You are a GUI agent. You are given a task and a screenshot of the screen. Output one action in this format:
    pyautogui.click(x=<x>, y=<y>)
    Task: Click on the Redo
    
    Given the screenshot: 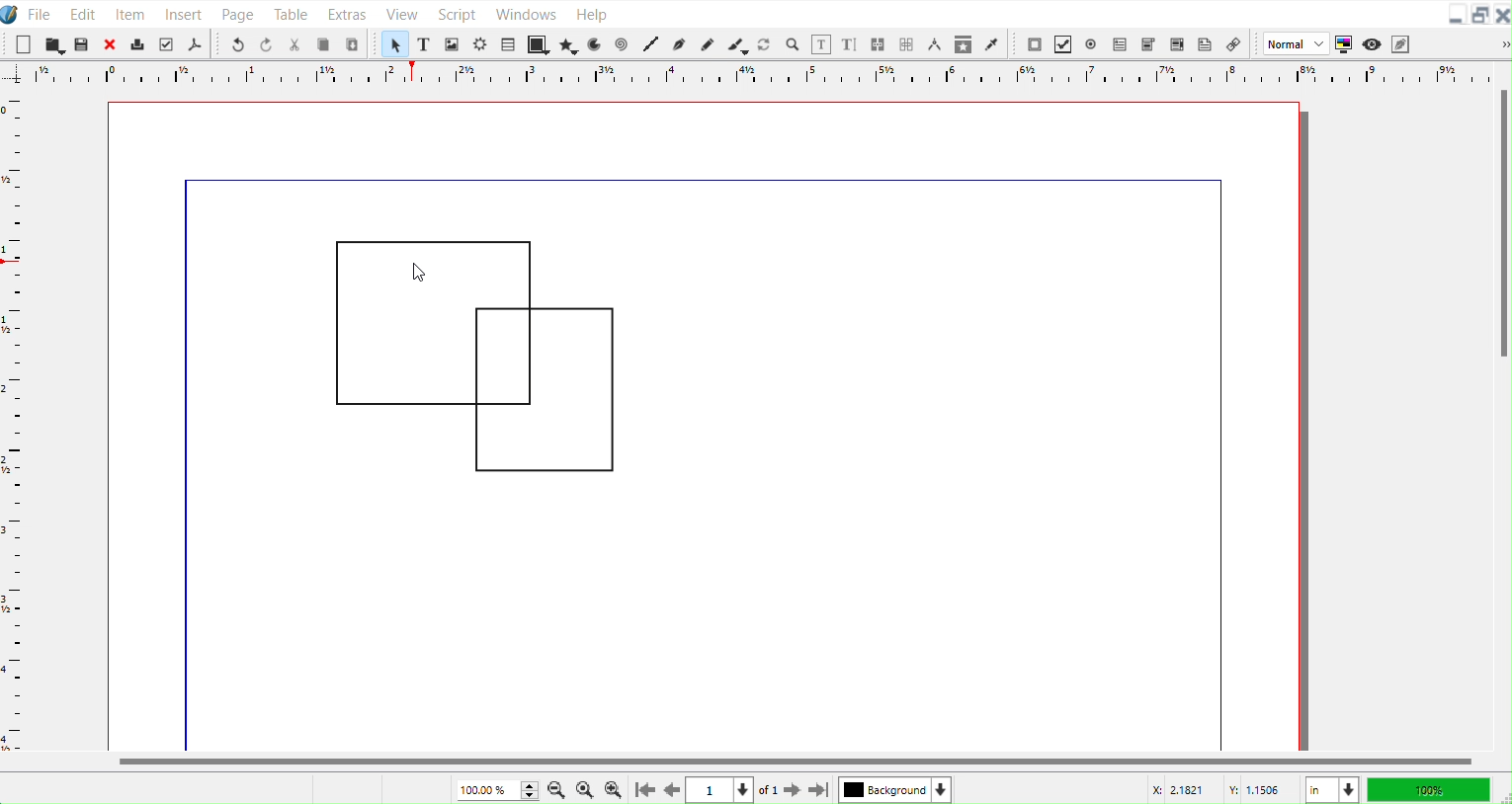 What is the action you would take?
    pyautogui.click(x=266, y=43)
    